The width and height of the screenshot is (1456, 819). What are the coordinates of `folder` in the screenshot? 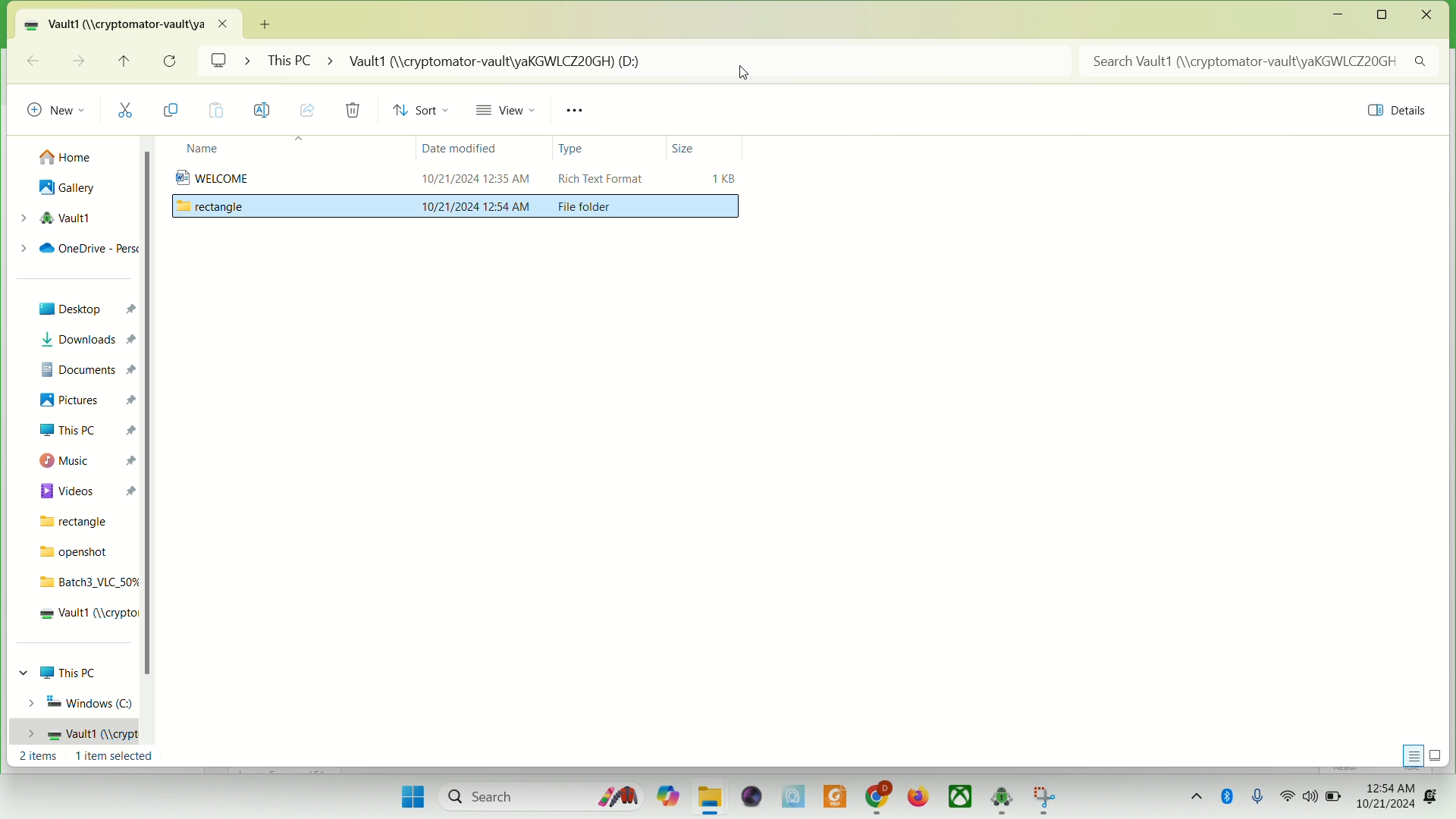 It's located at (711, 798).